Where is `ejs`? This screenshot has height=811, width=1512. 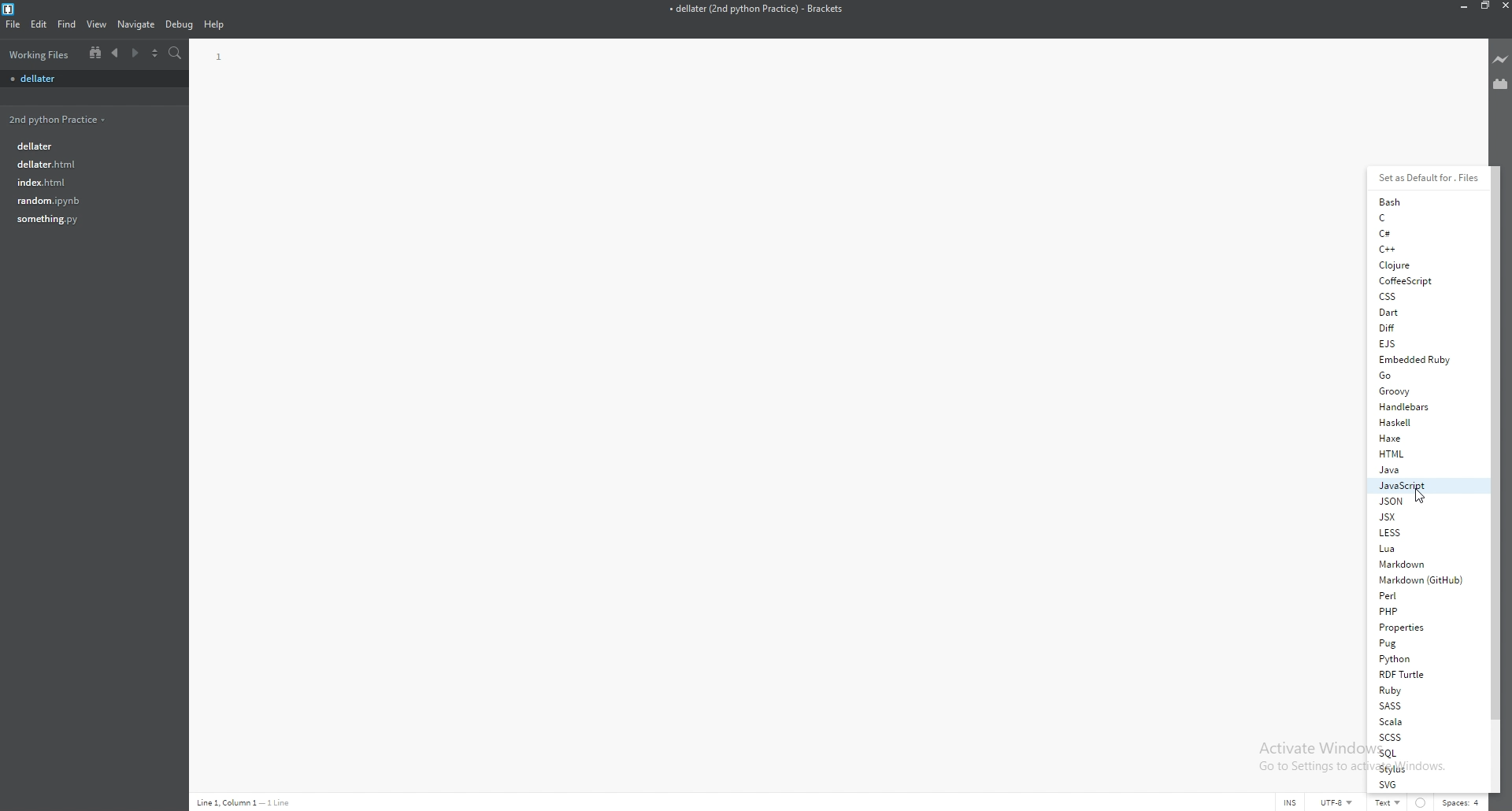 ejs is located at coordinates (1419, 343).